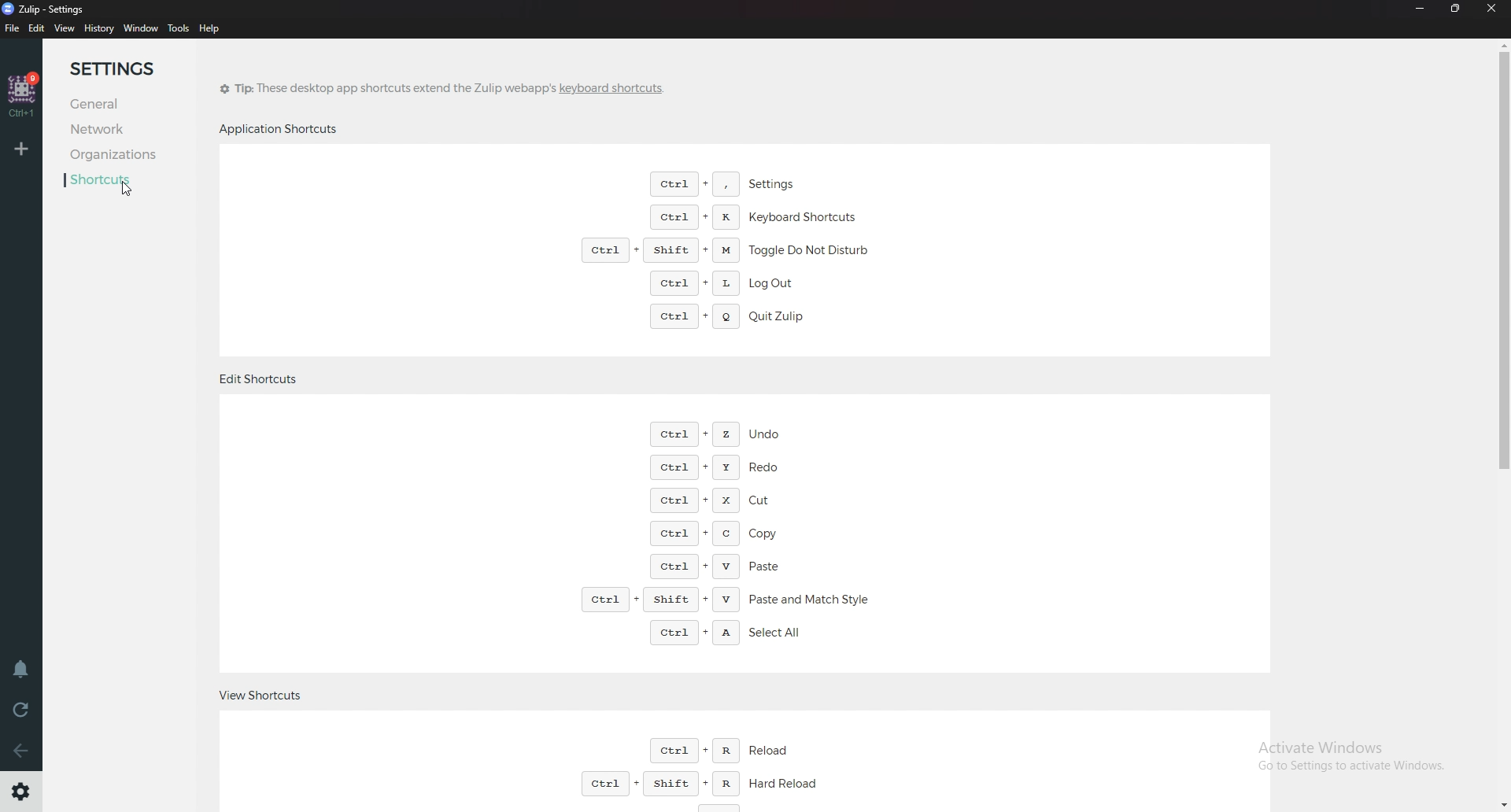 The image size is (1511, 812). What do you see at coordinates (22, 94) in the screenshot?
I see `home` at bounding box center [22, 94].